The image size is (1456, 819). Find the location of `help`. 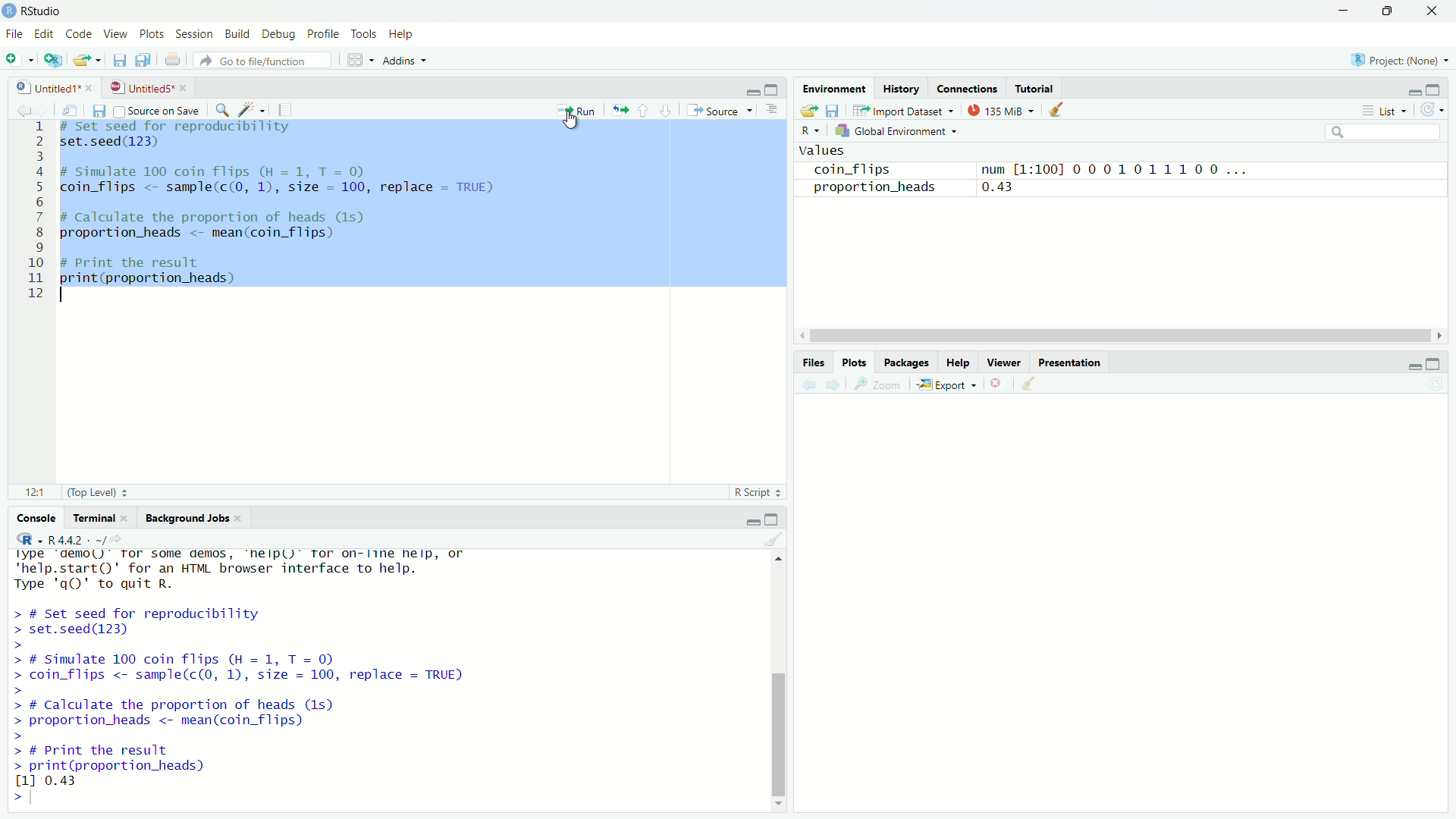

help is located at coordinates (404, 33).